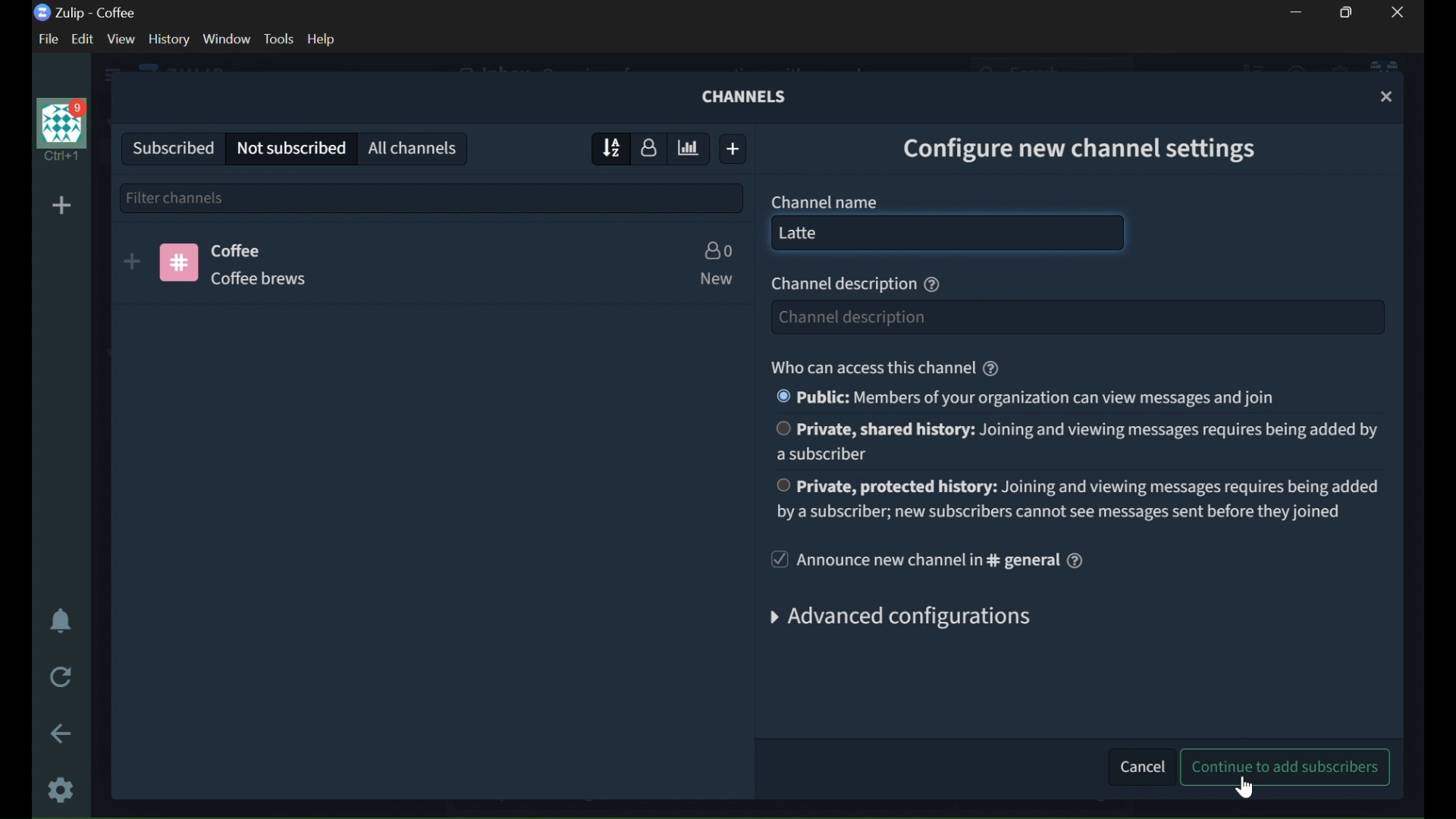 The height and width of the screenshot is (819, 1456). Describe the element at coordinates (61, 206) in the screenshot. I see `ADD ORGANIZER` at that location.